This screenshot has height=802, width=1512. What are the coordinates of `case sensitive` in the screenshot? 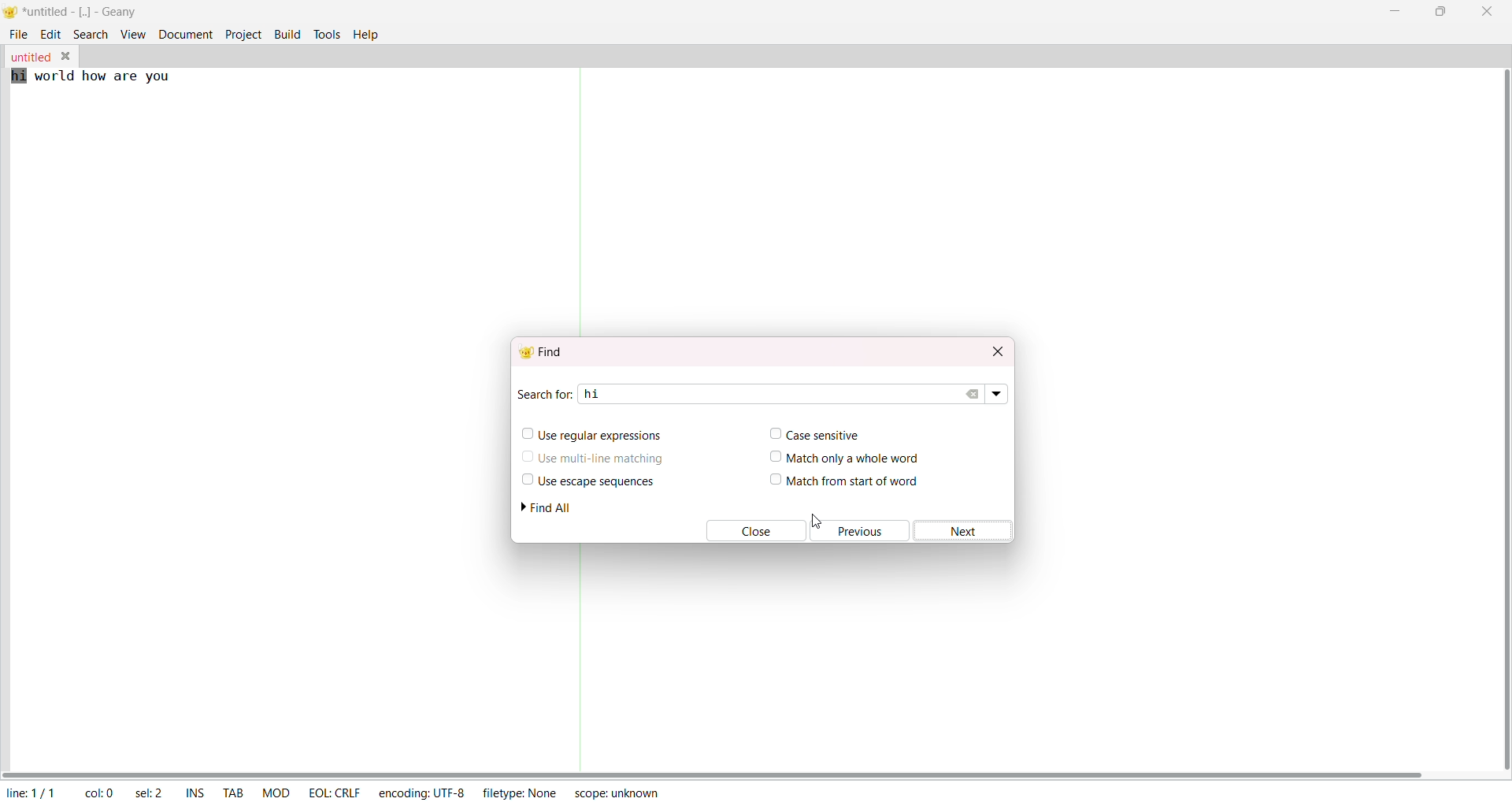 It's located at (821, 434).